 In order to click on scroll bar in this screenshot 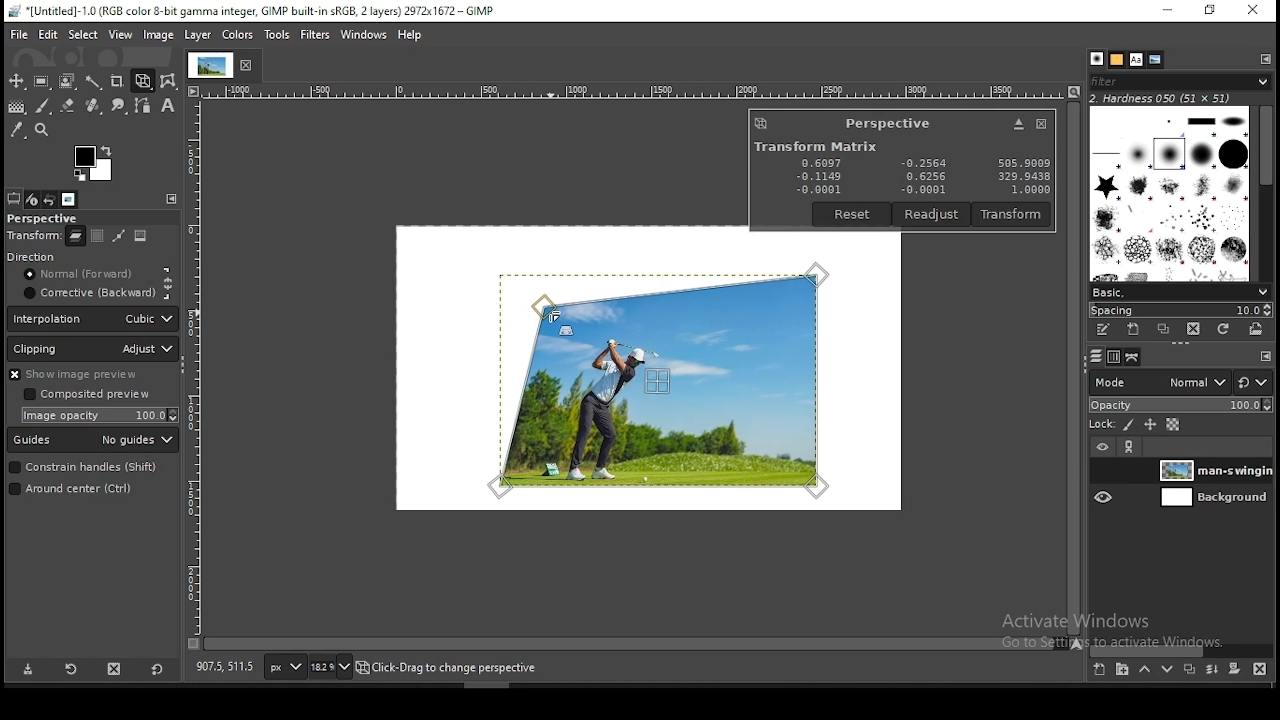, I will do `click(1073, 369)`.